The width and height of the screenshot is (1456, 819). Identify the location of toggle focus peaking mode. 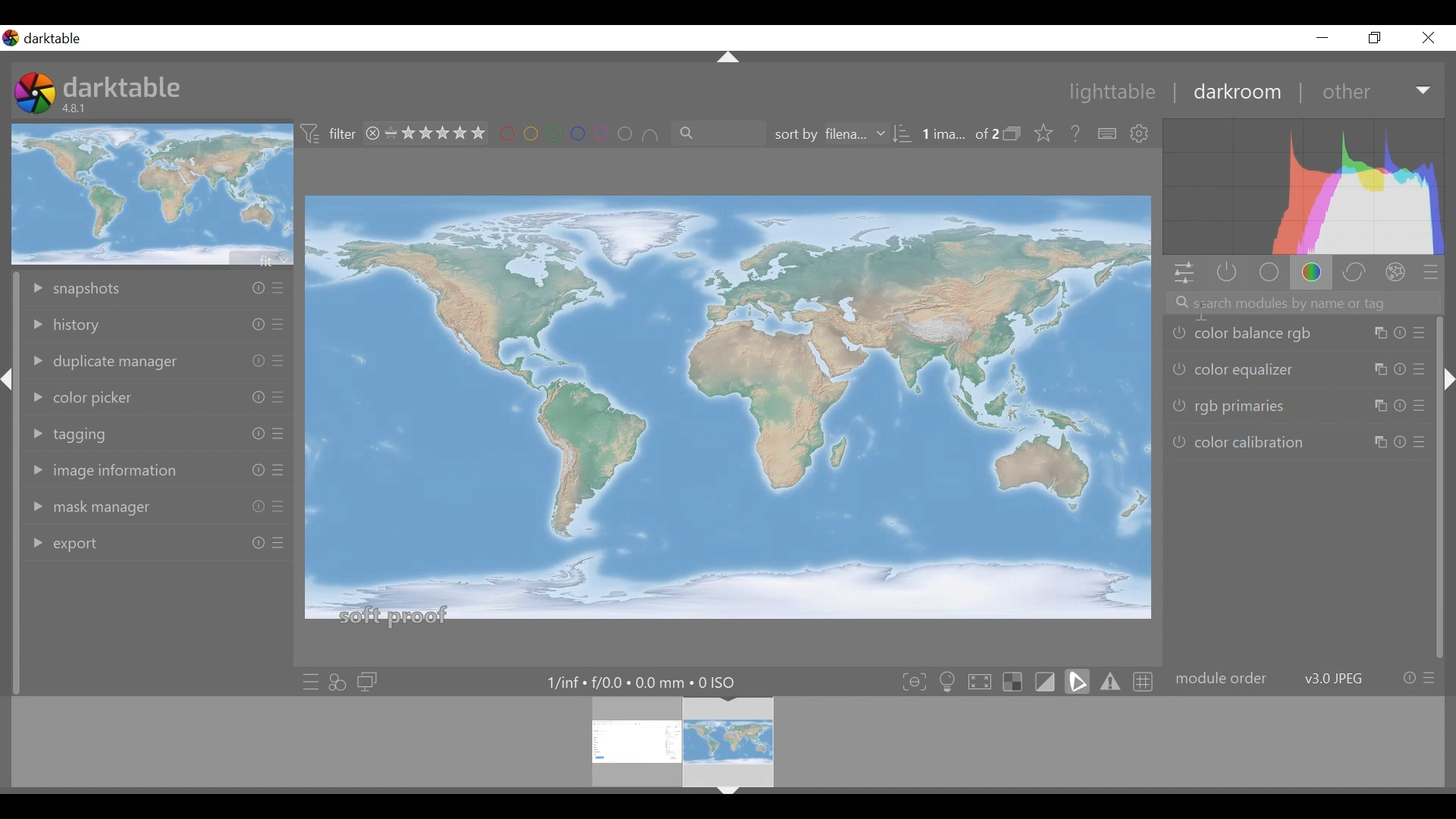
(916, 681).